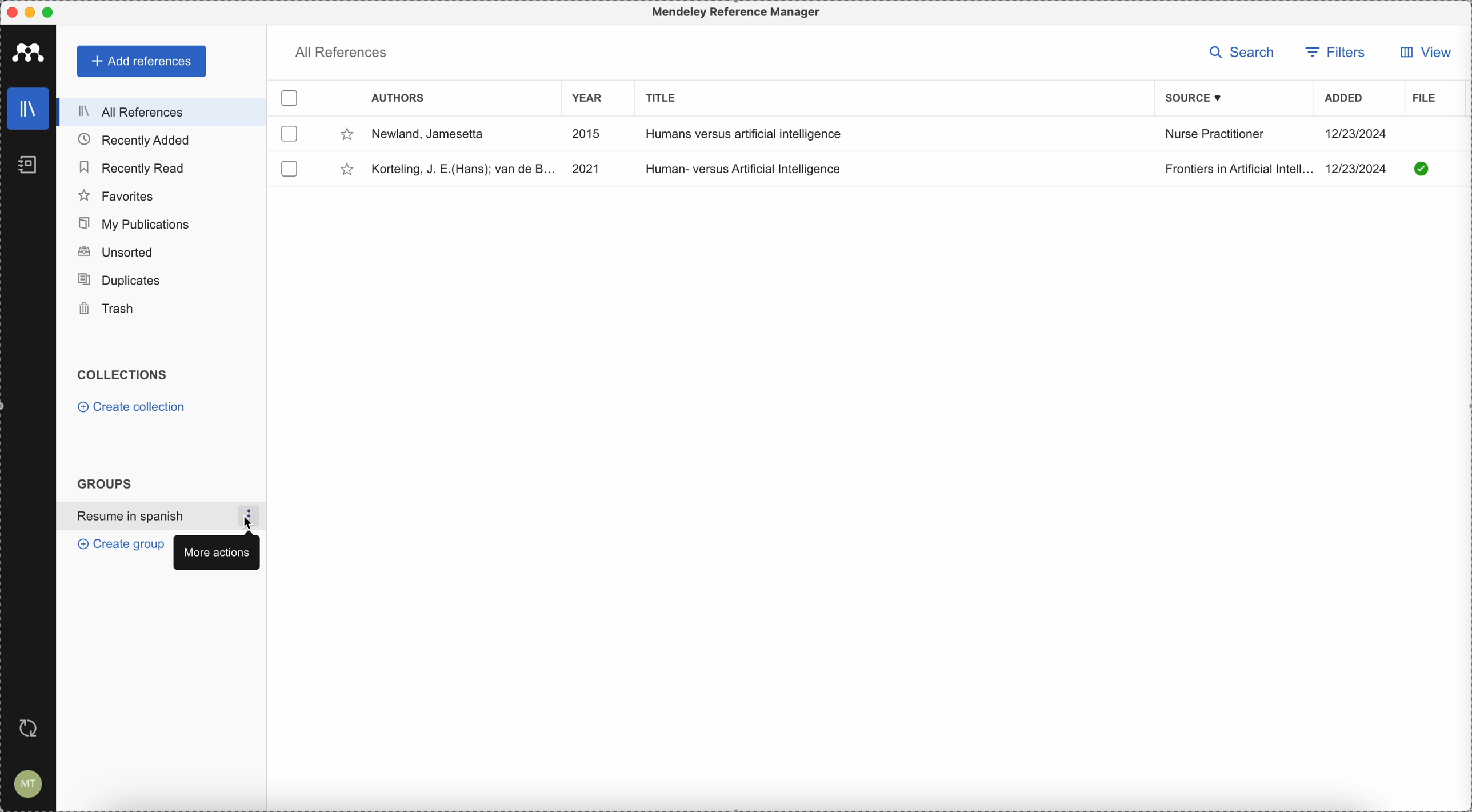 This screenshot has height=812, width=1472. Describe the element at coordinates (142, 62) in the screenshot. I see `add references` at that location.